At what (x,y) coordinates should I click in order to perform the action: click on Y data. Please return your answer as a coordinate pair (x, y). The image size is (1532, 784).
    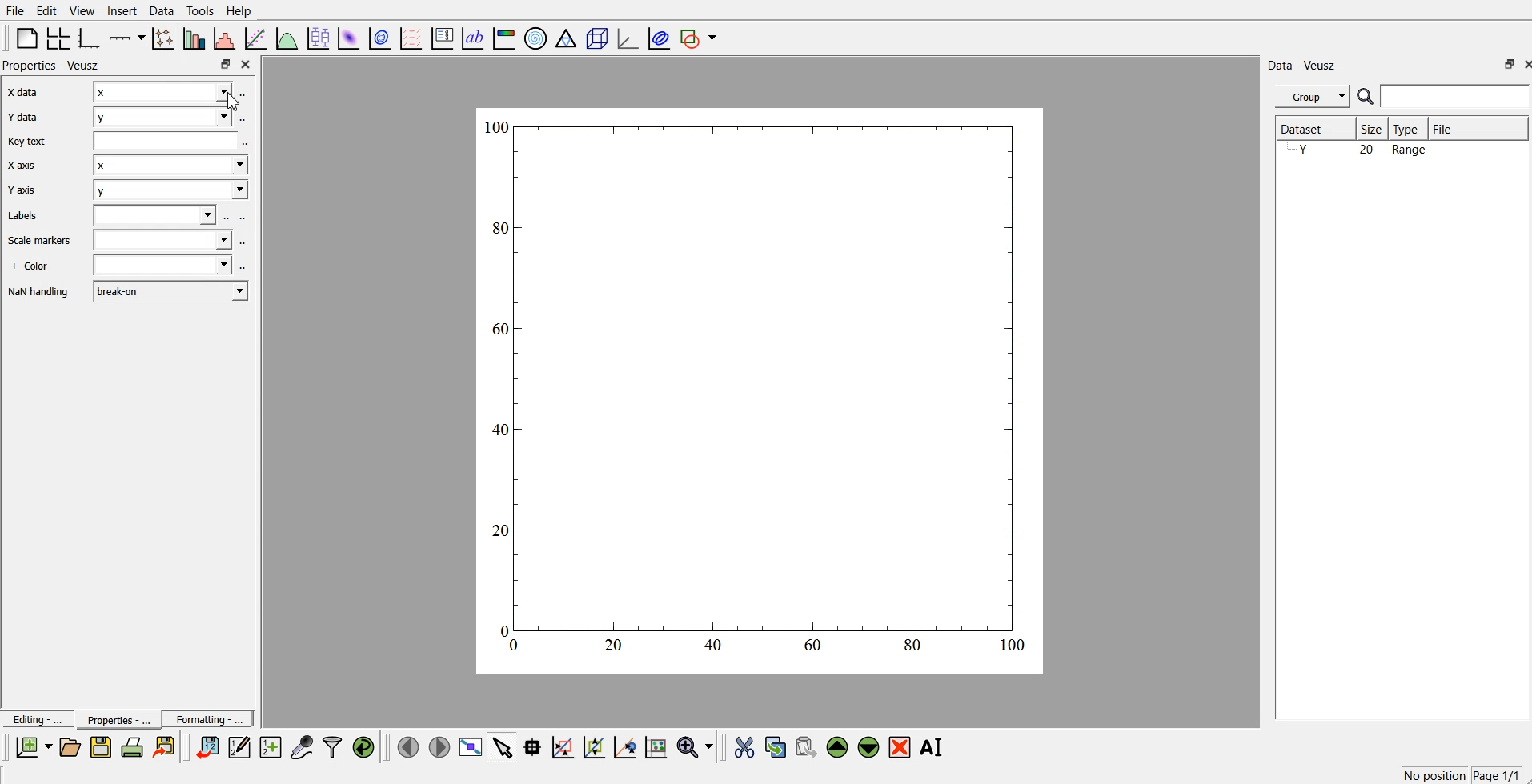
    Looking at the image, I should click on (28, 120).